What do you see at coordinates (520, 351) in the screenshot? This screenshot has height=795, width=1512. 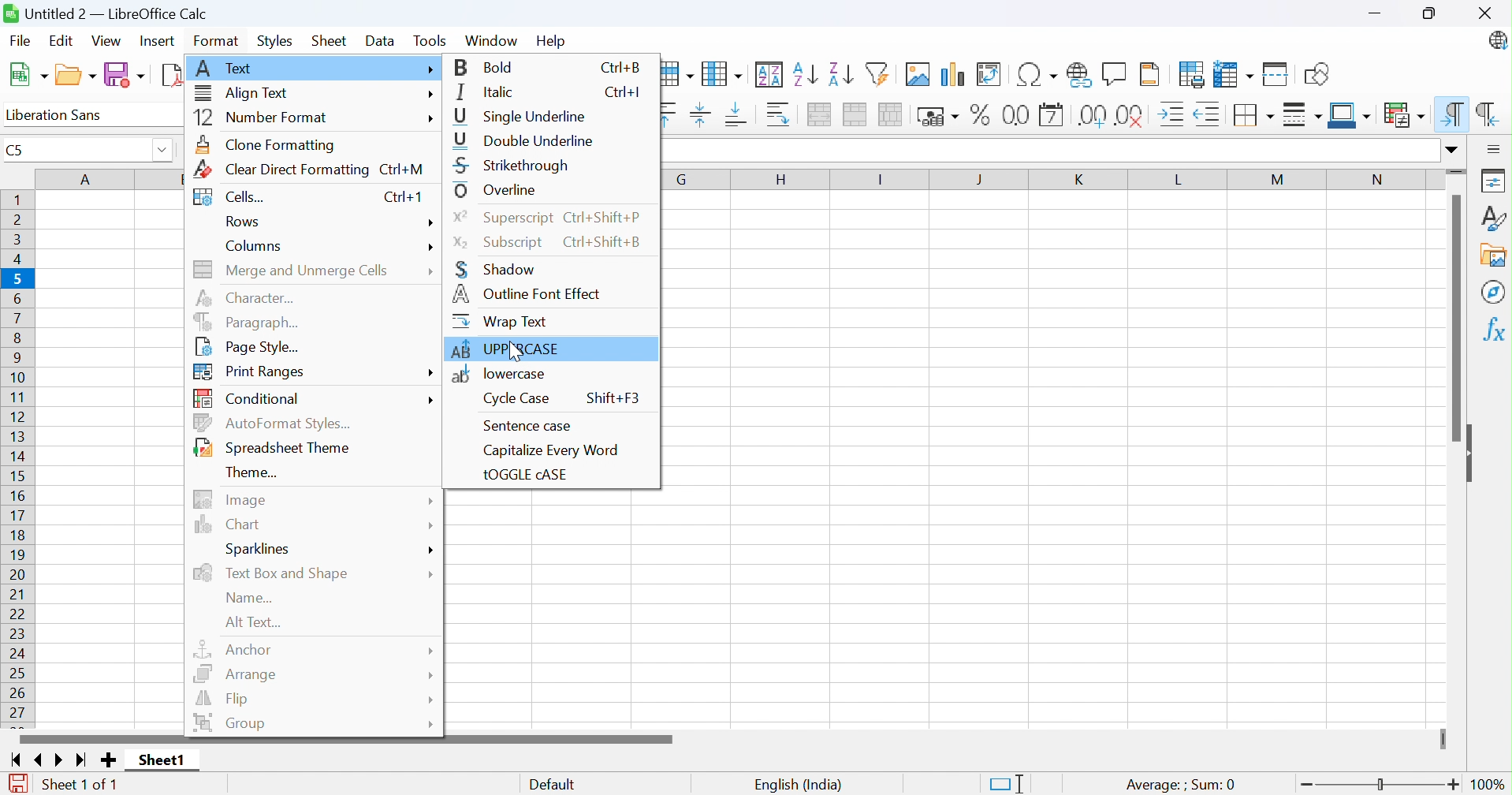 I see `Cursor` at bounding box center [520, 351].